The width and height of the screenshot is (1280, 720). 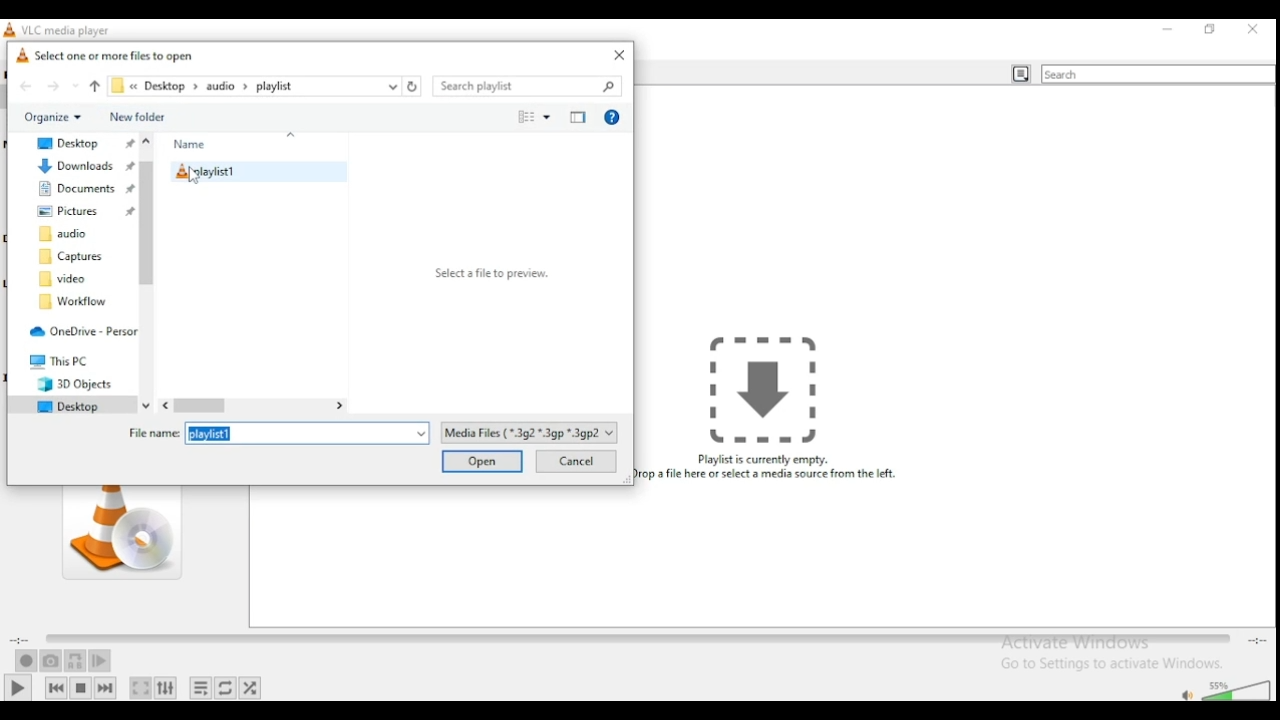 I want to click on cursor, so click(x=196, y=176).